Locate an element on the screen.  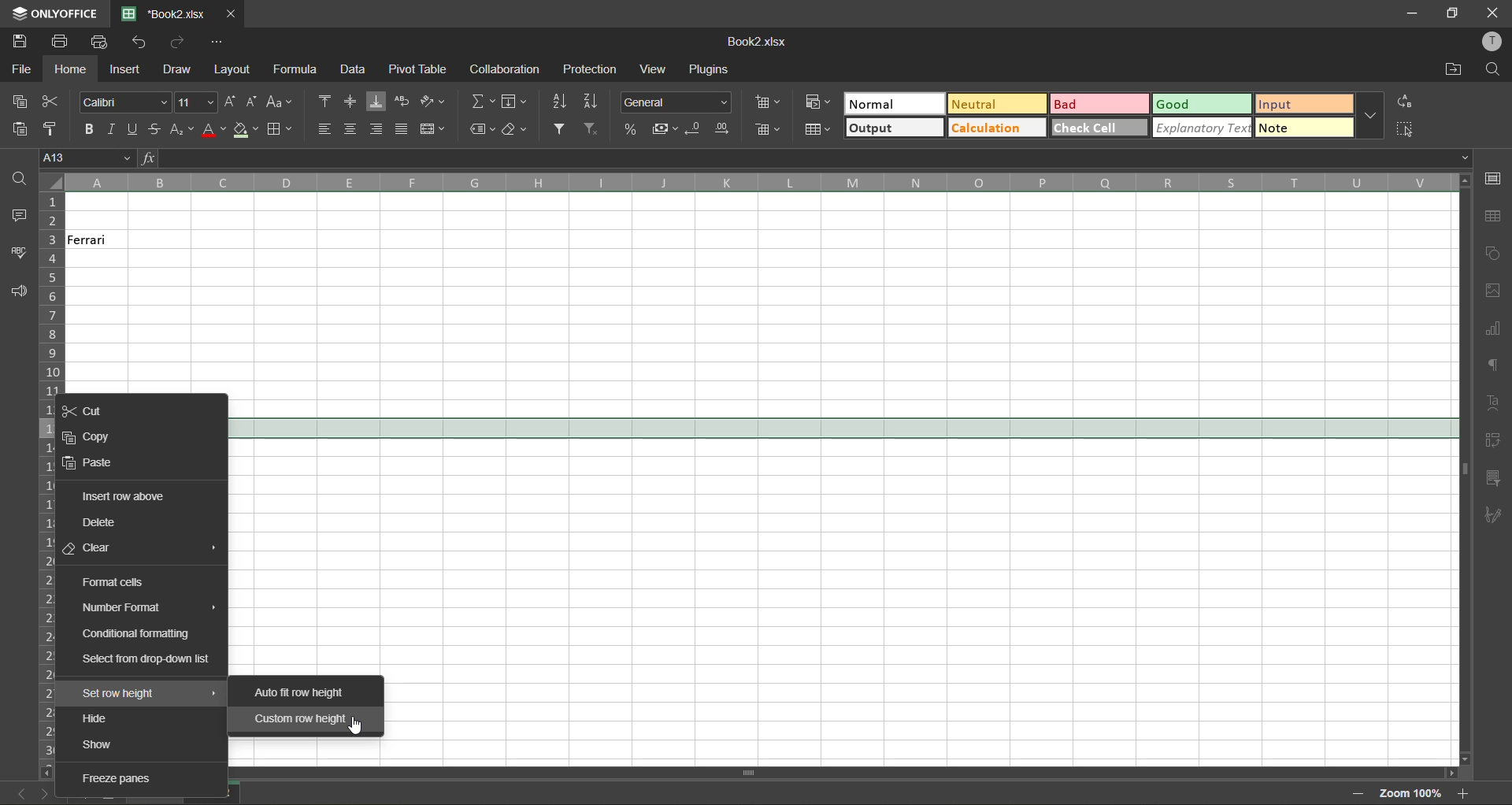
fx is located at coordinates (150, 158).